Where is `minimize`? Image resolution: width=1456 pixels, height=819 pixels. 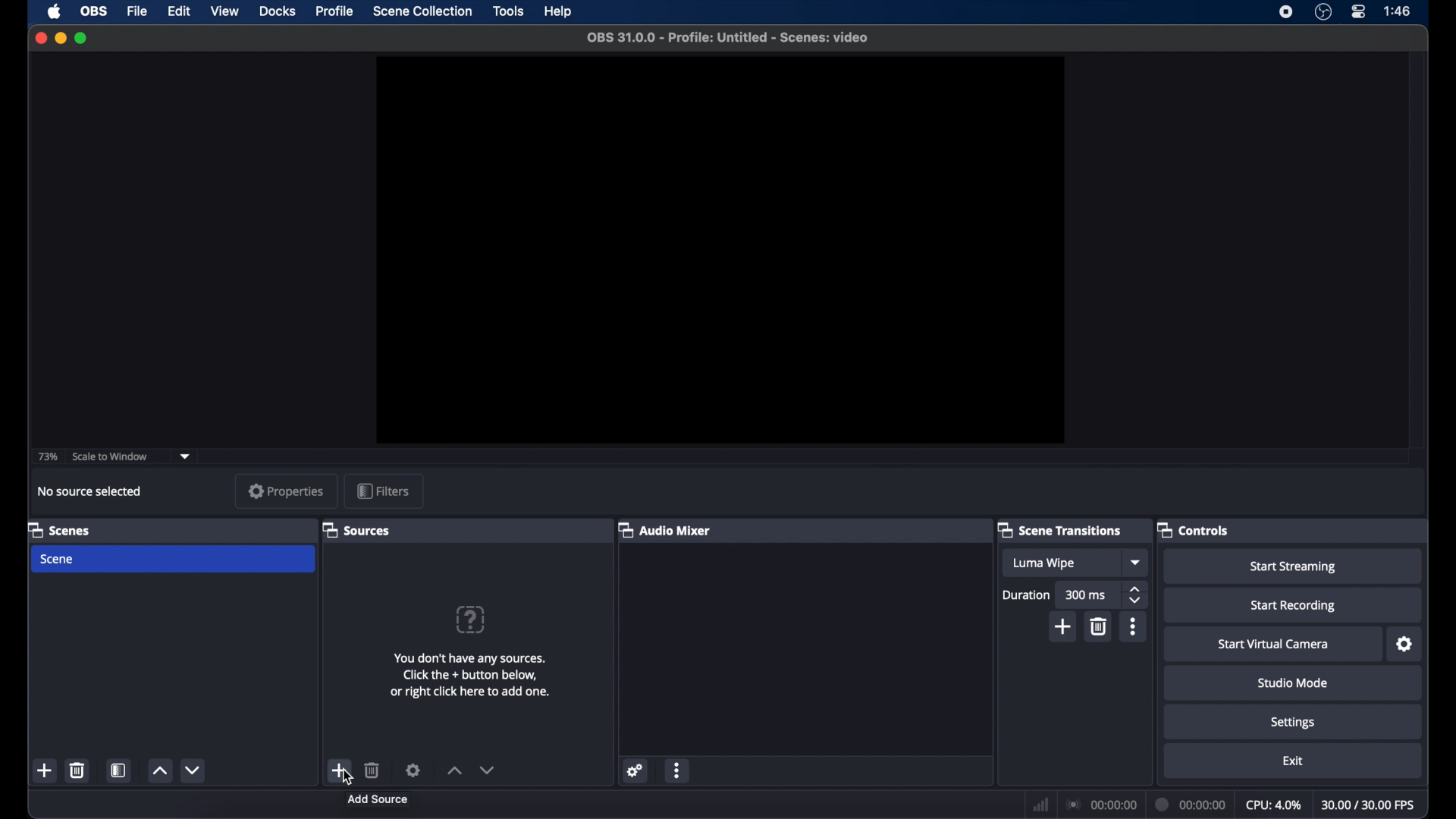 minimize is located at coordinates (60, 38).